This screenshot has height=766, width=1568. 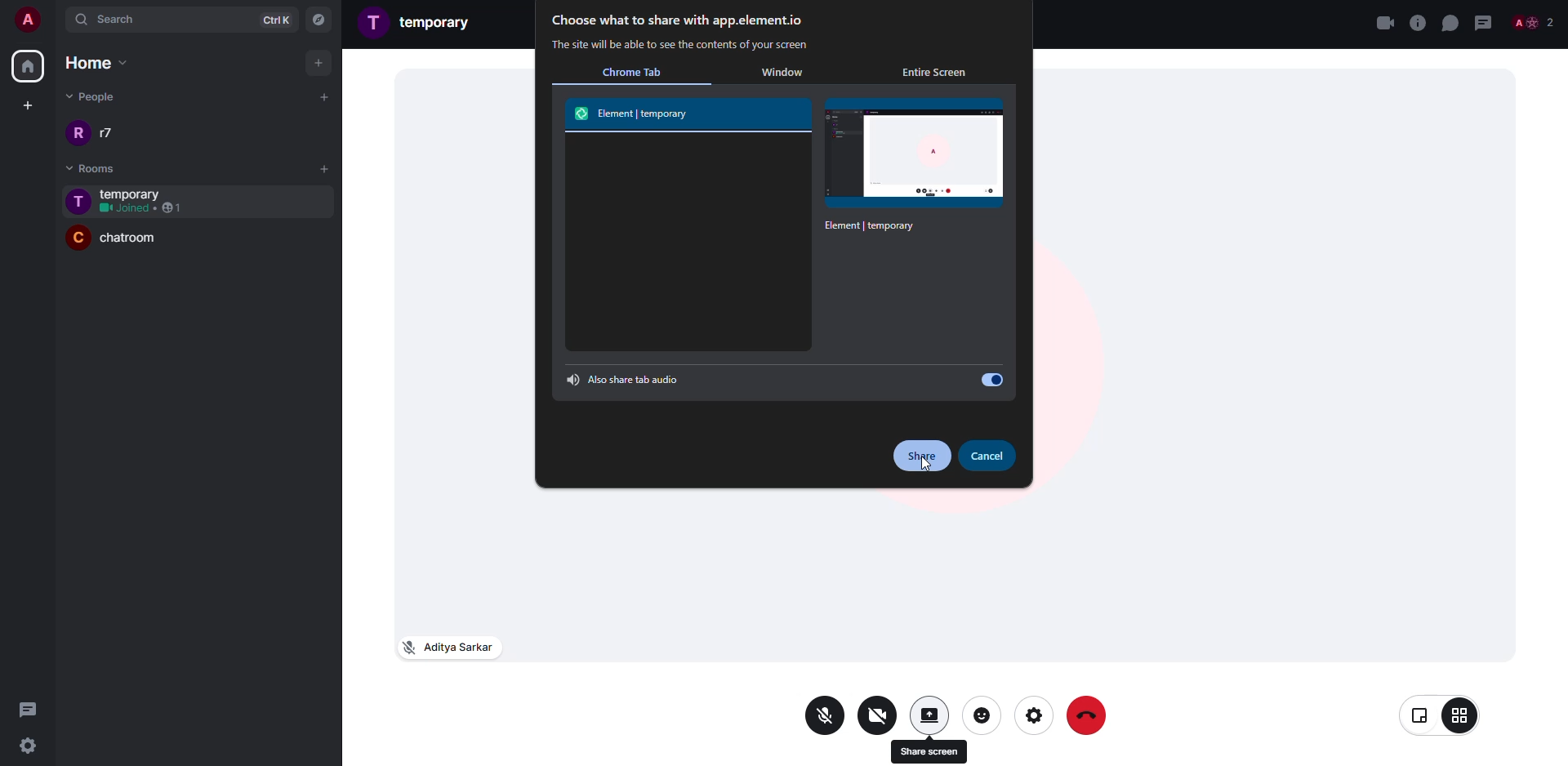 What do you see at coordinates (919, 169) in the screenshot?
I see `selected` at bounding box center [919, 169].